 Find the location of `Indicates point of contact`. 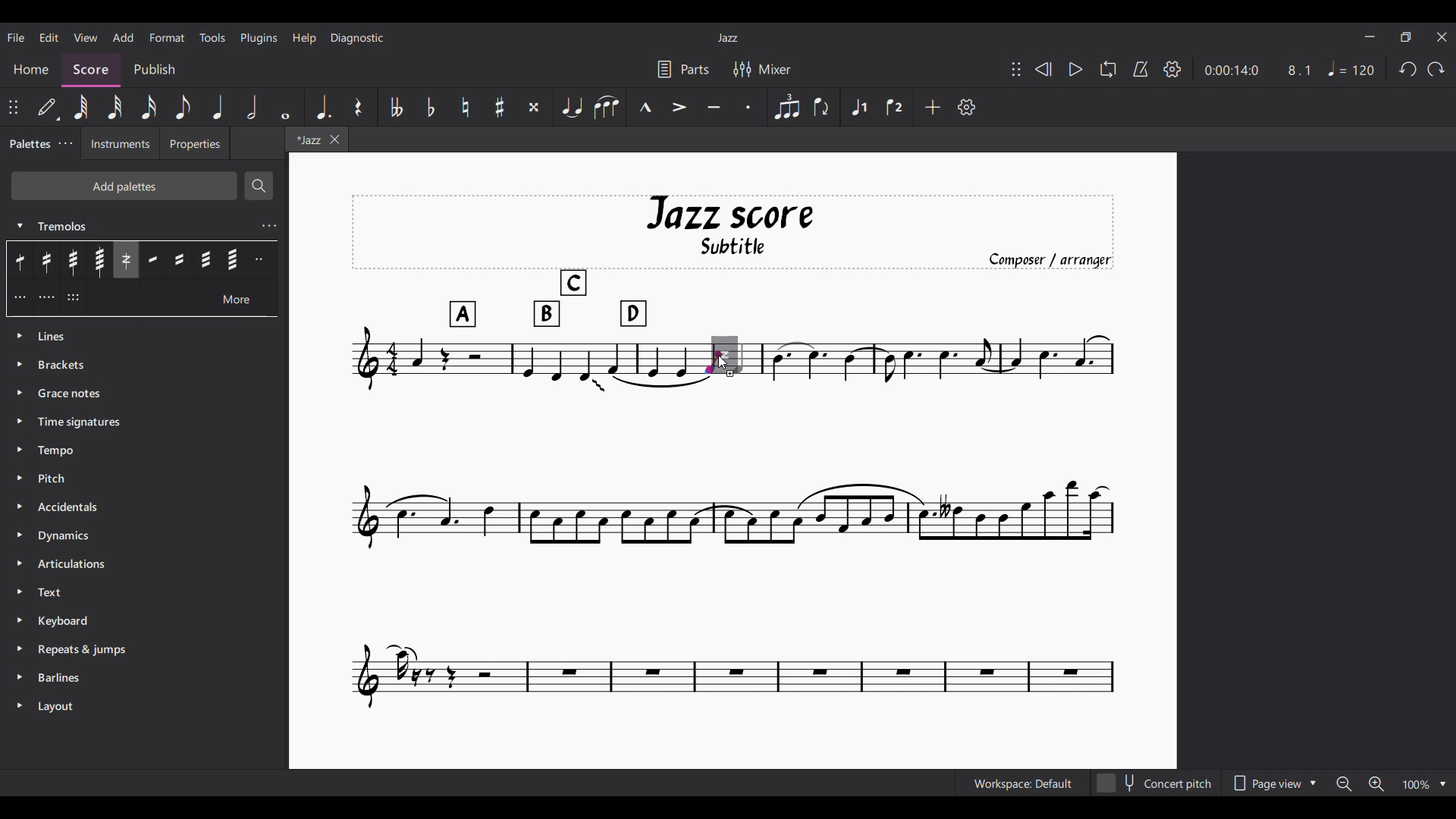

Indicates point of contact is located at coordinates (713, 362).